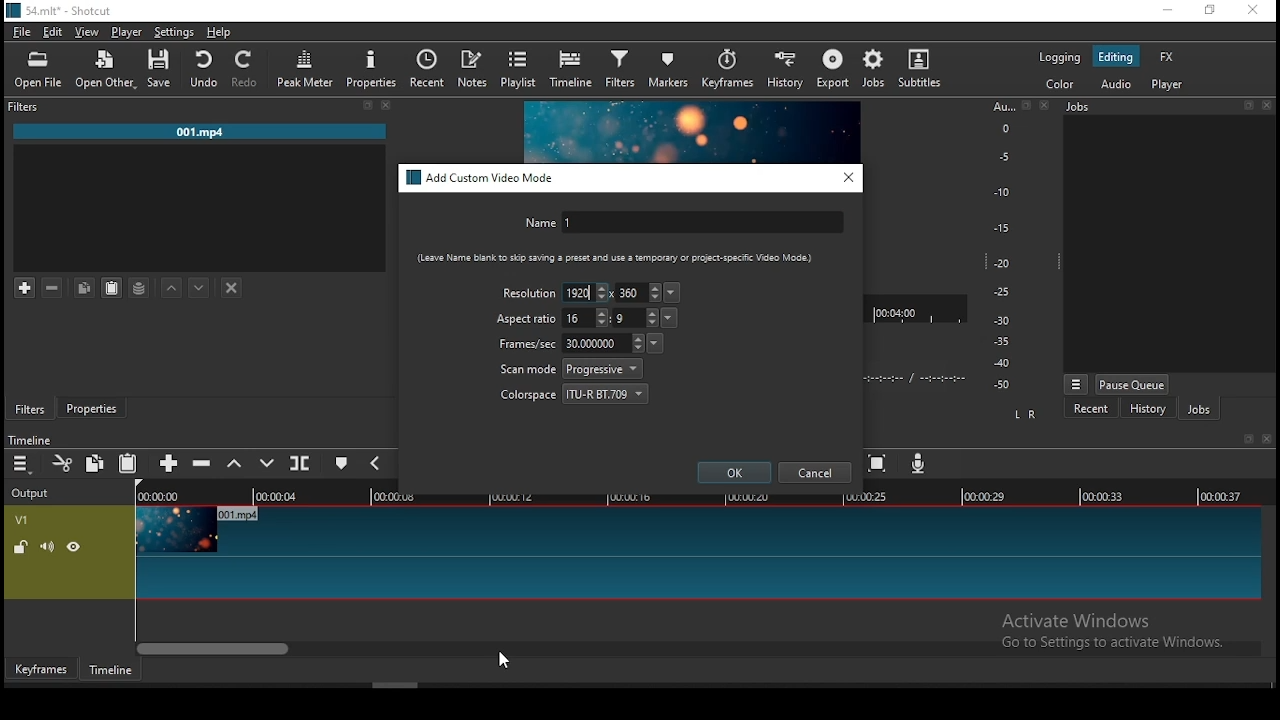 The width and height of the screenshot is (1280, 720). What do you see at coordinates (1002, 385) in the screenshot?
I see `-50` at bounding box center [1002, 385].